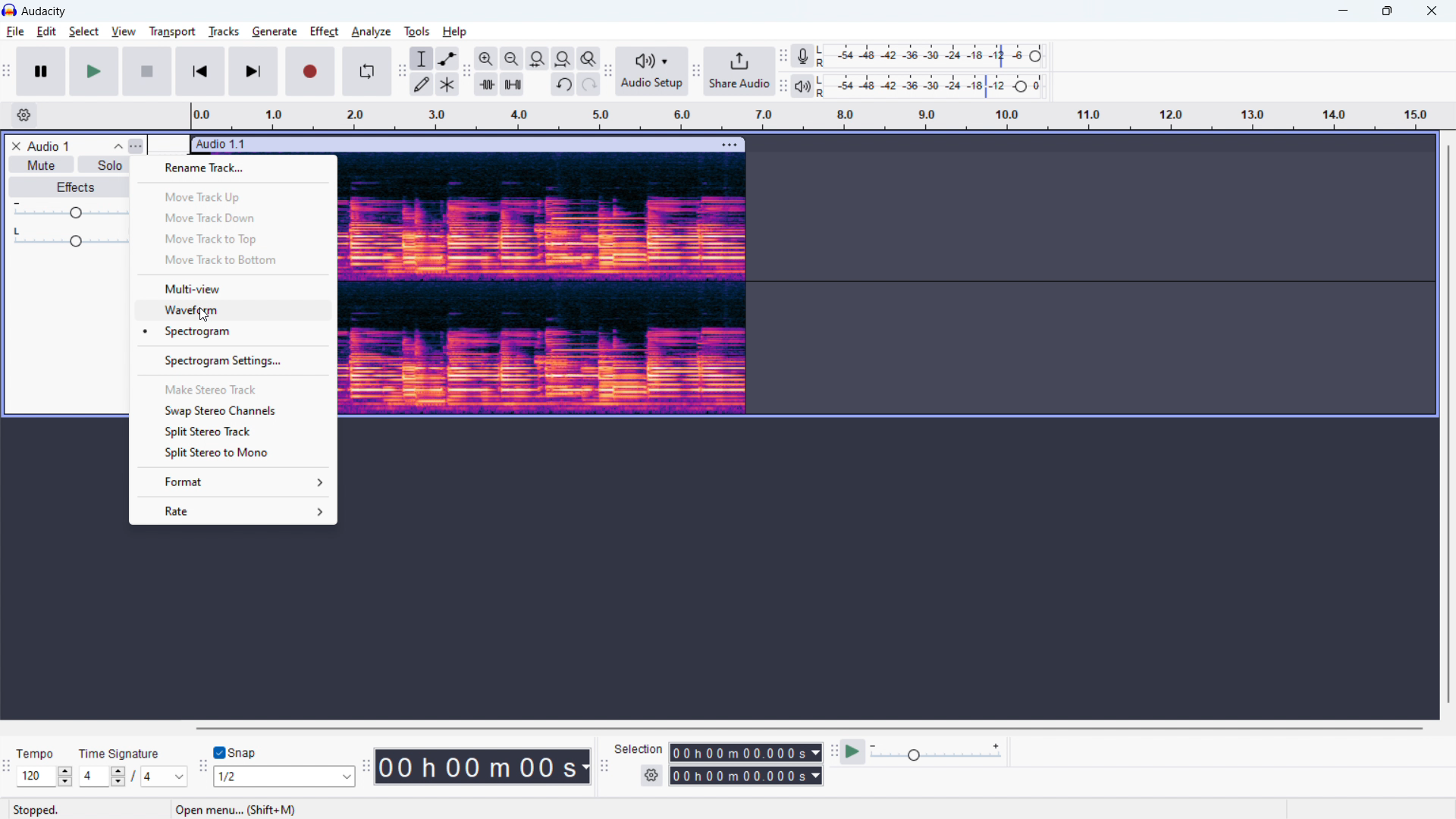  What do you see at coordinates (23, 115) in the screenshot?
I see `timeline settings` at bounding box center [23, 115].